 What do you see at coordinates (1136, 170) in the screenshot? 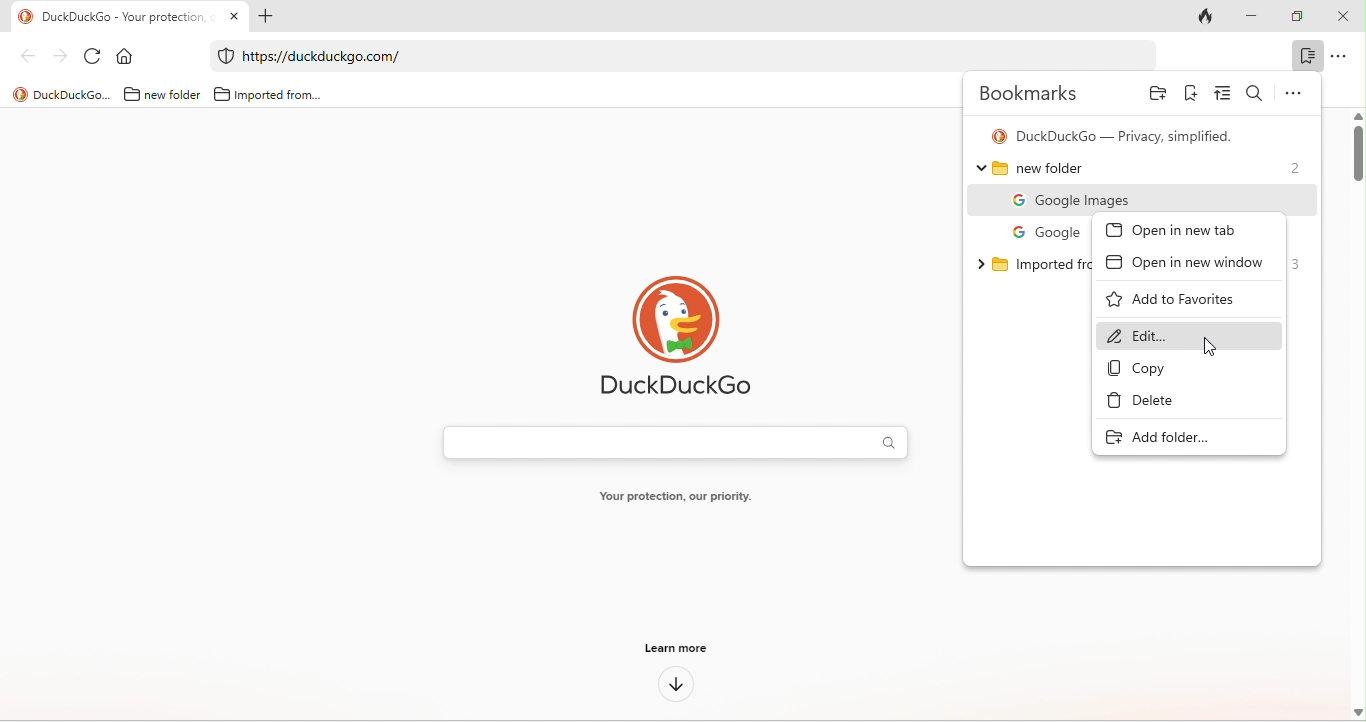
I see `new folder` at bounding box center [1136, 170].